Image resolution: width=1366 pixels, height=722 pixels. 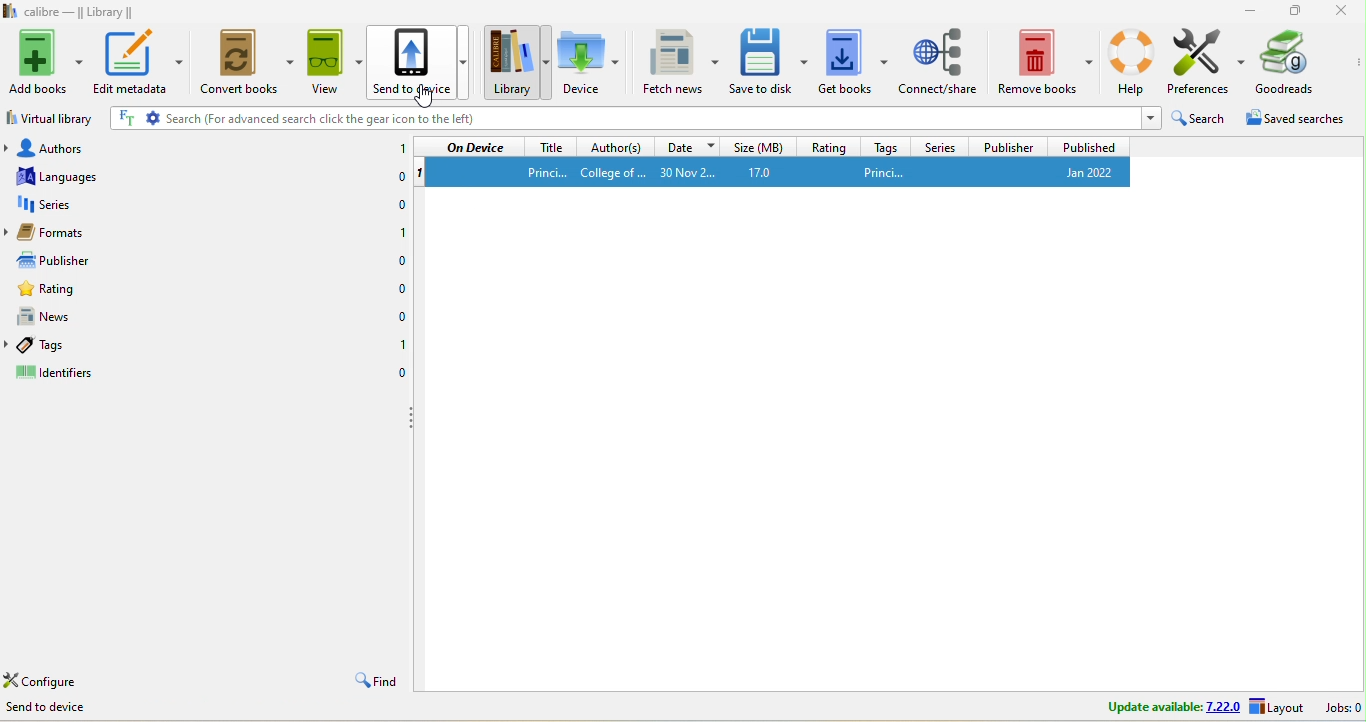 I want to click on preferences, so click(x=1205, y=63).